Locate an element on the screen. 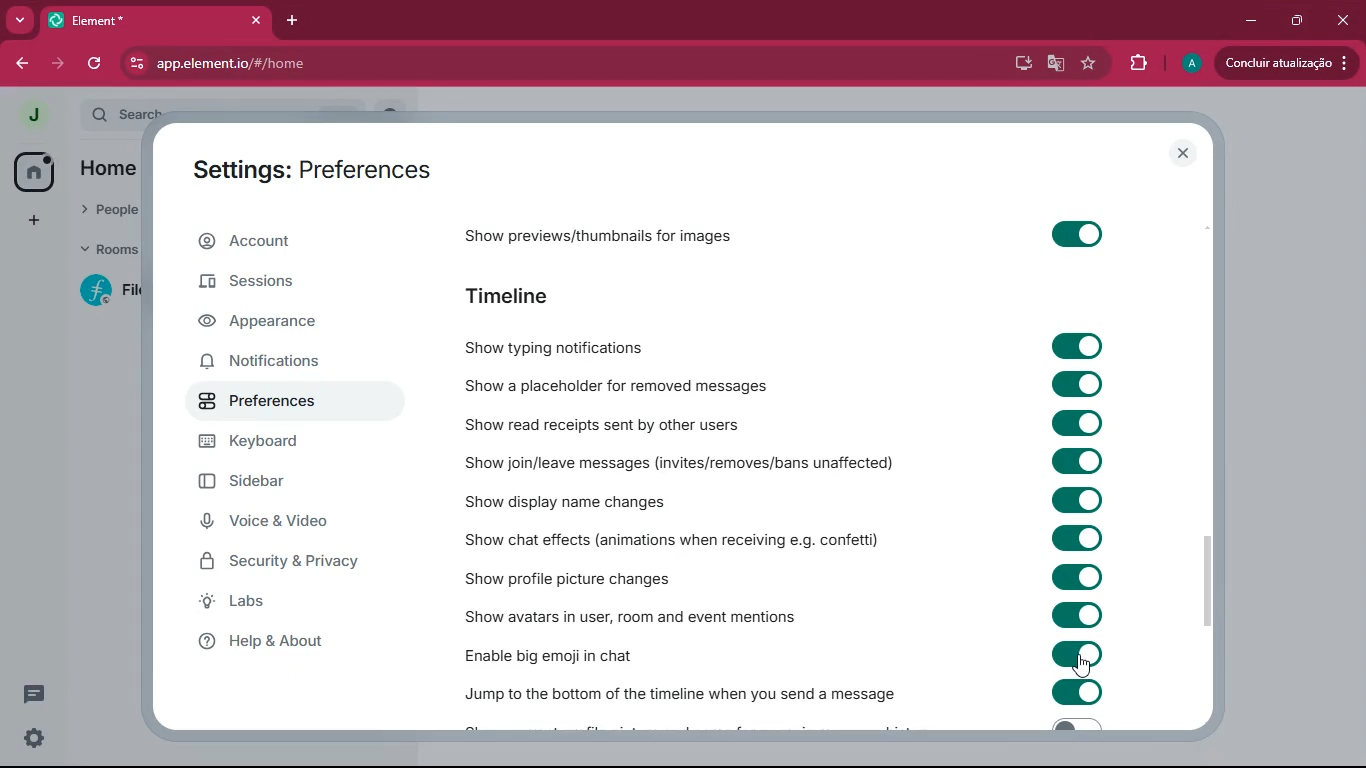 Image resolution: width=1366 pixels, height=768 pixels. people is located at coordinates (104, 211).